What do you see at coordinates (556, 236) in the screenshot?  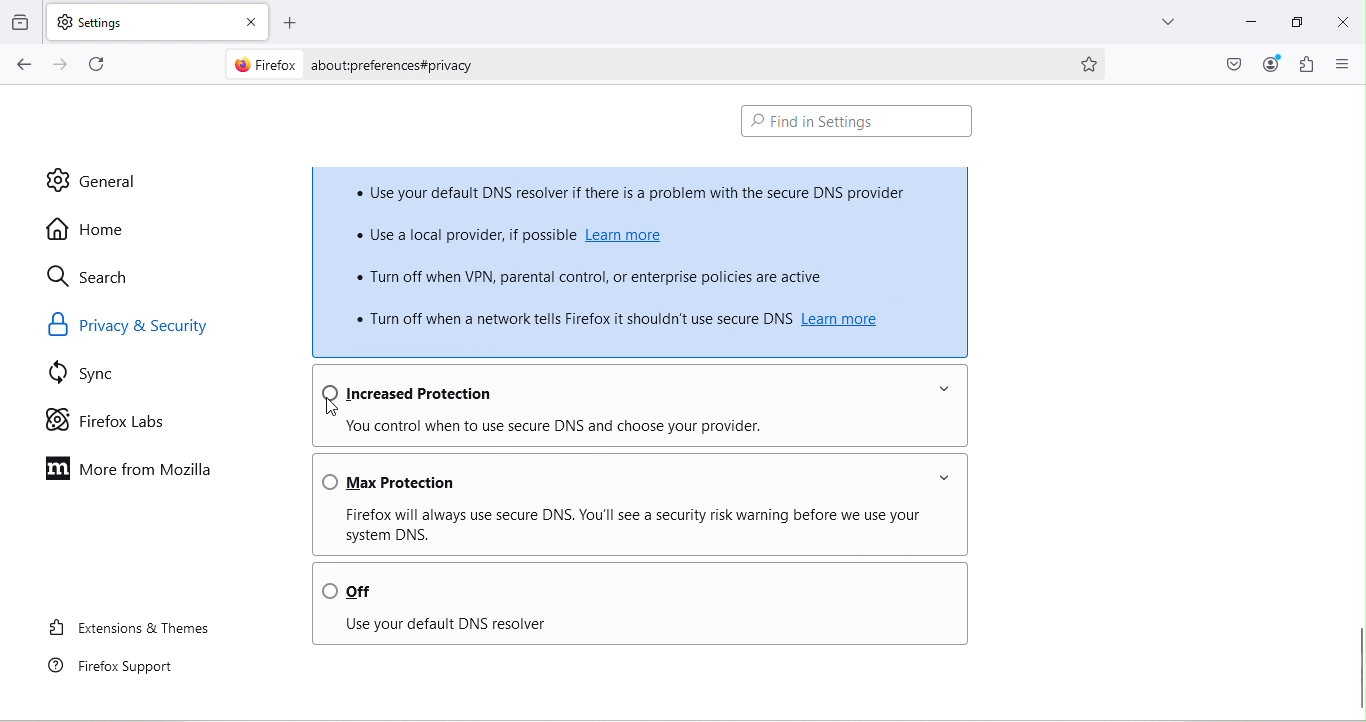 I see `« Use a local provider, if possible Leam more` at bounding box center [556, 236].